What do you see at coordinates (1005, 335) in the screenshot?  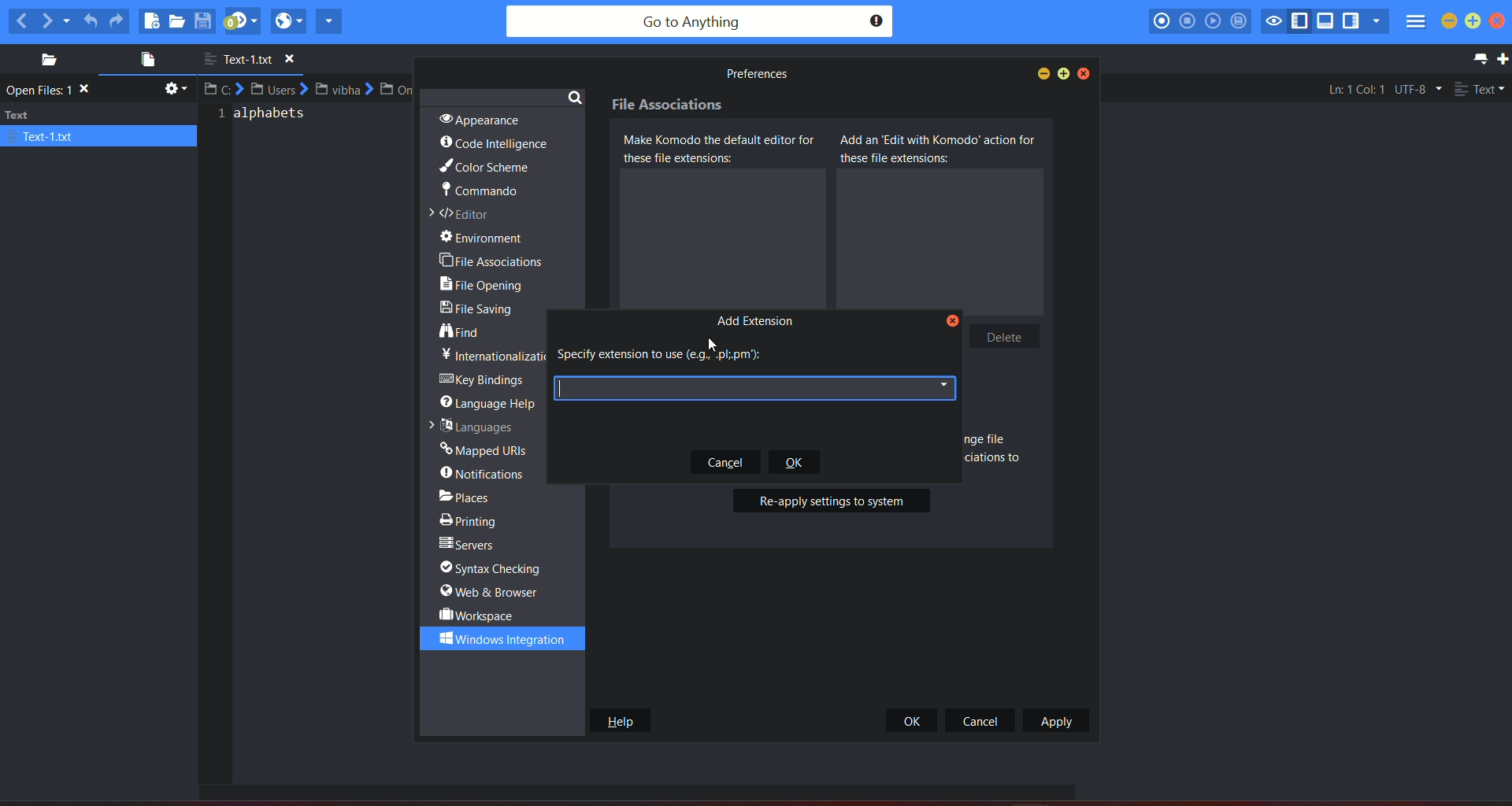 I see `delete` at bounding box center [1005, 335].